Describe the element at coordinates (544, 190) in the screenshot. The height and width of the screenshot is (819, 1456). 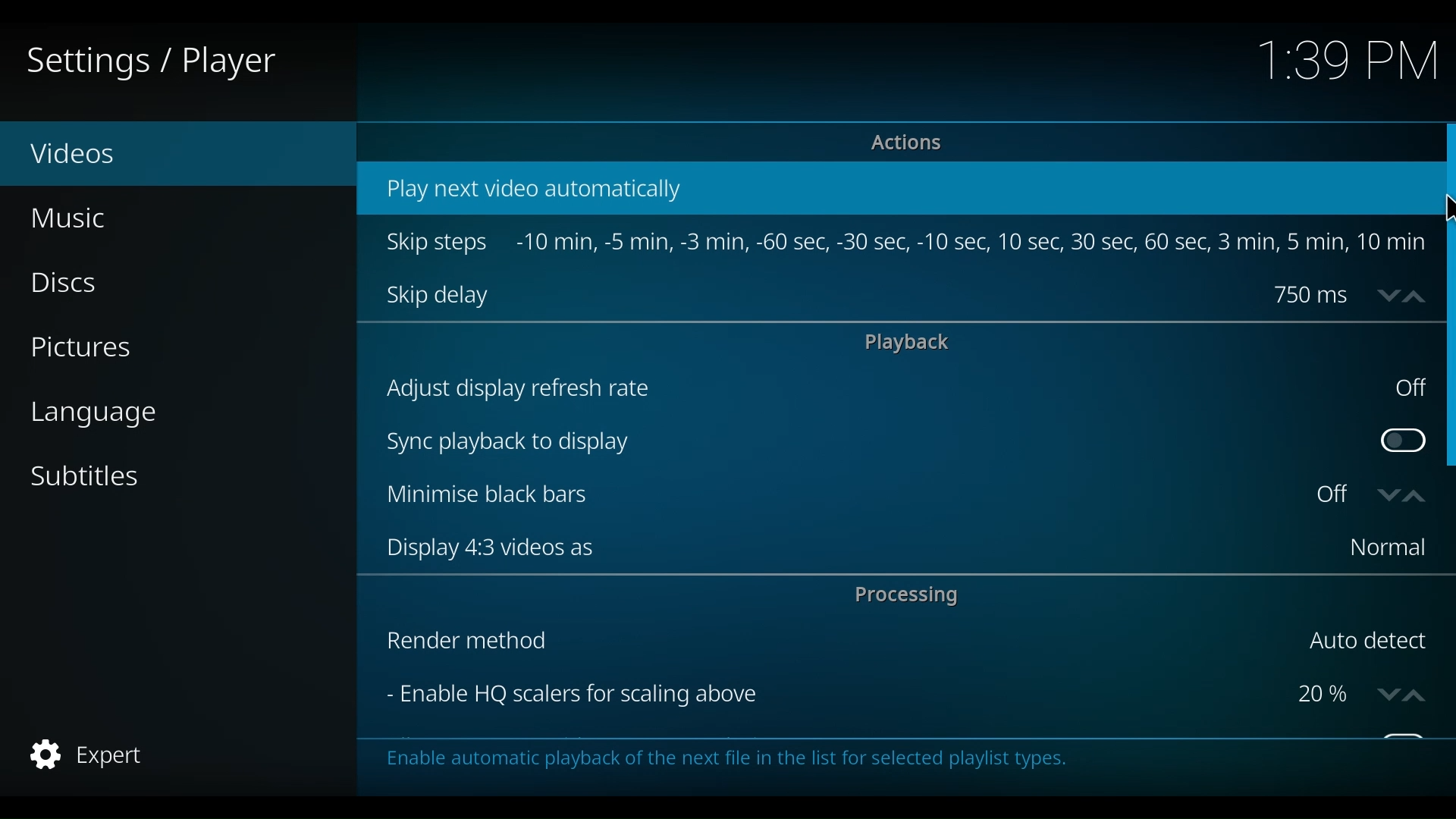
I see `Play next video automatically` at that location.